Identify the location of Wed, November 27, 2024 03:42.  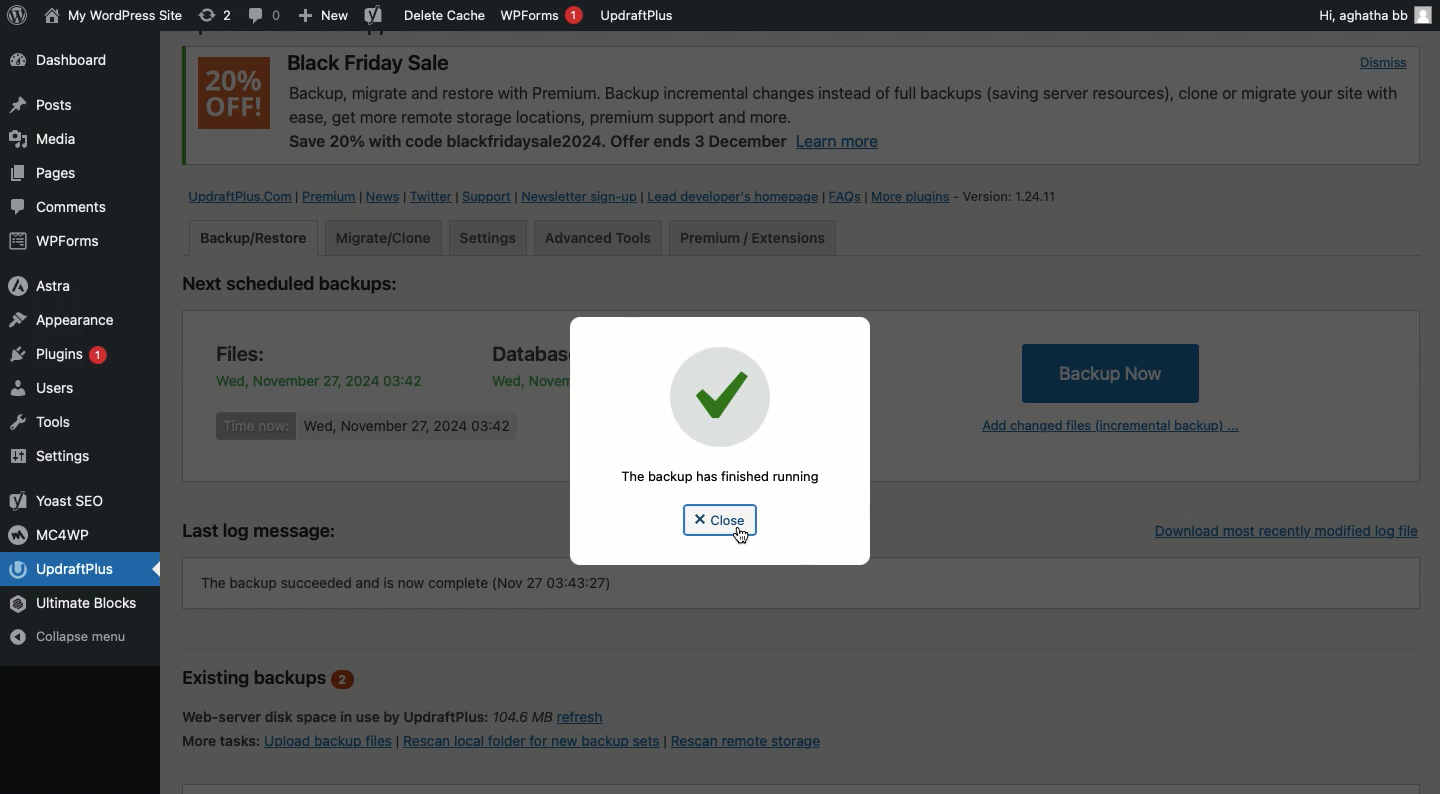
(408, 427).